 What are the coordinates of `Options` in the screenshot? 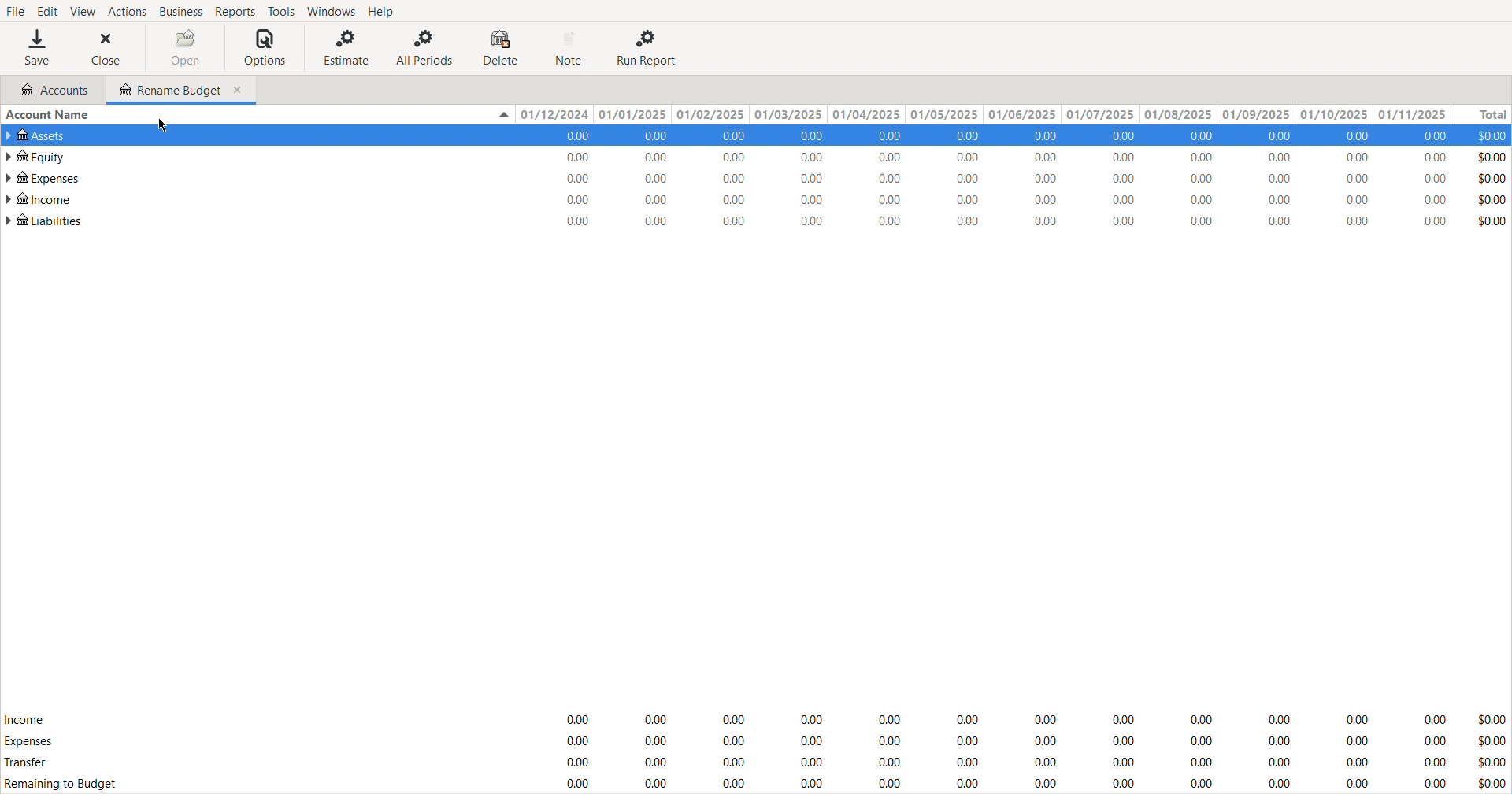 It's located at (265, 48).